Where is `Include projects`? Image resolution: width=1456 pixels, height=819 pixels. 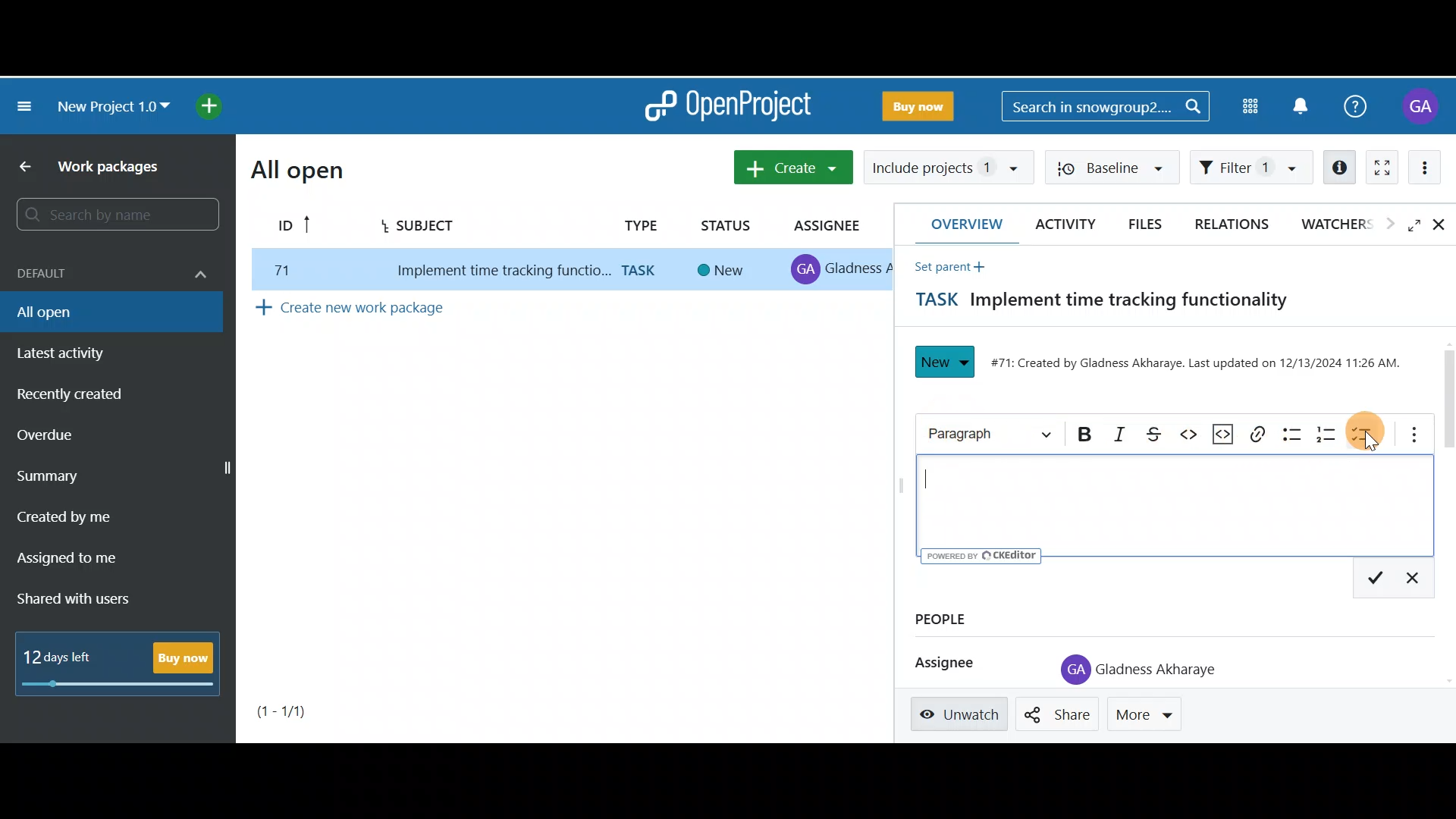 Include projects is located at coordinates (946, 166).